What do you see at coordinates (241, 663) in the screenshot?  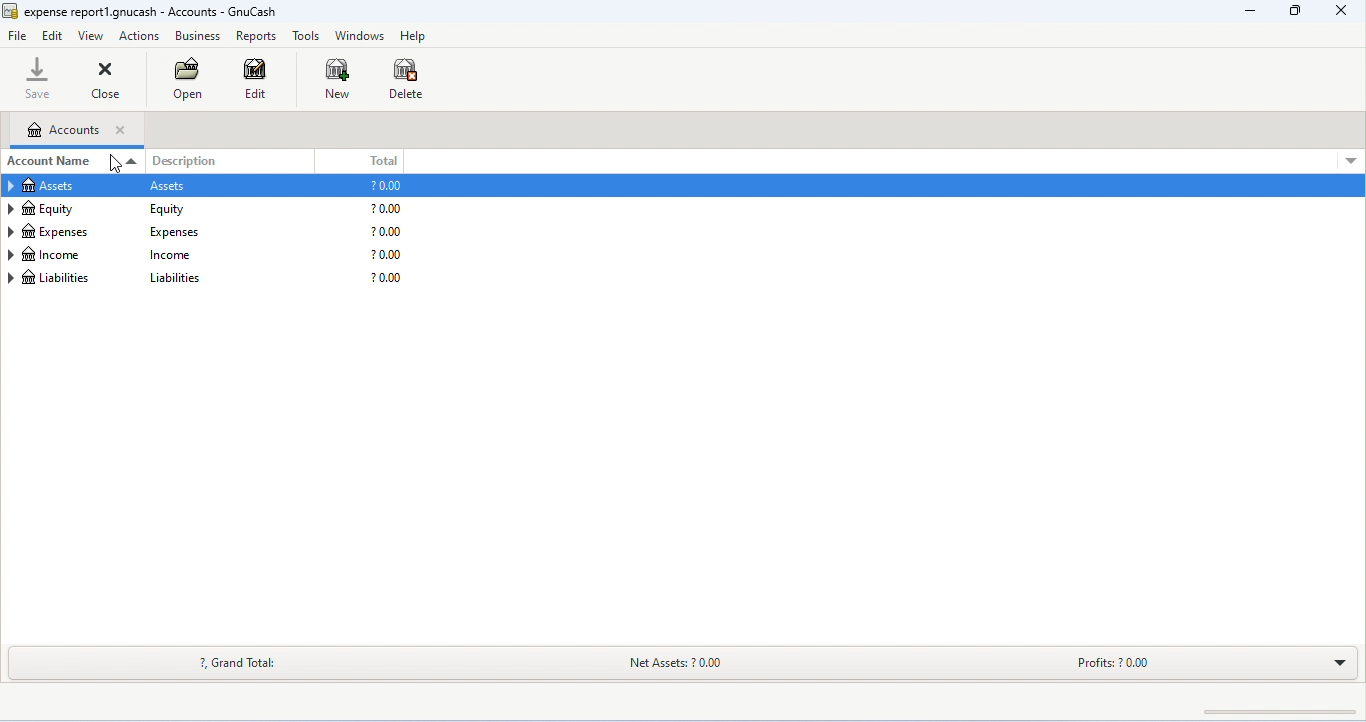 I see `?, grand total` at bounding box center [241, 663].